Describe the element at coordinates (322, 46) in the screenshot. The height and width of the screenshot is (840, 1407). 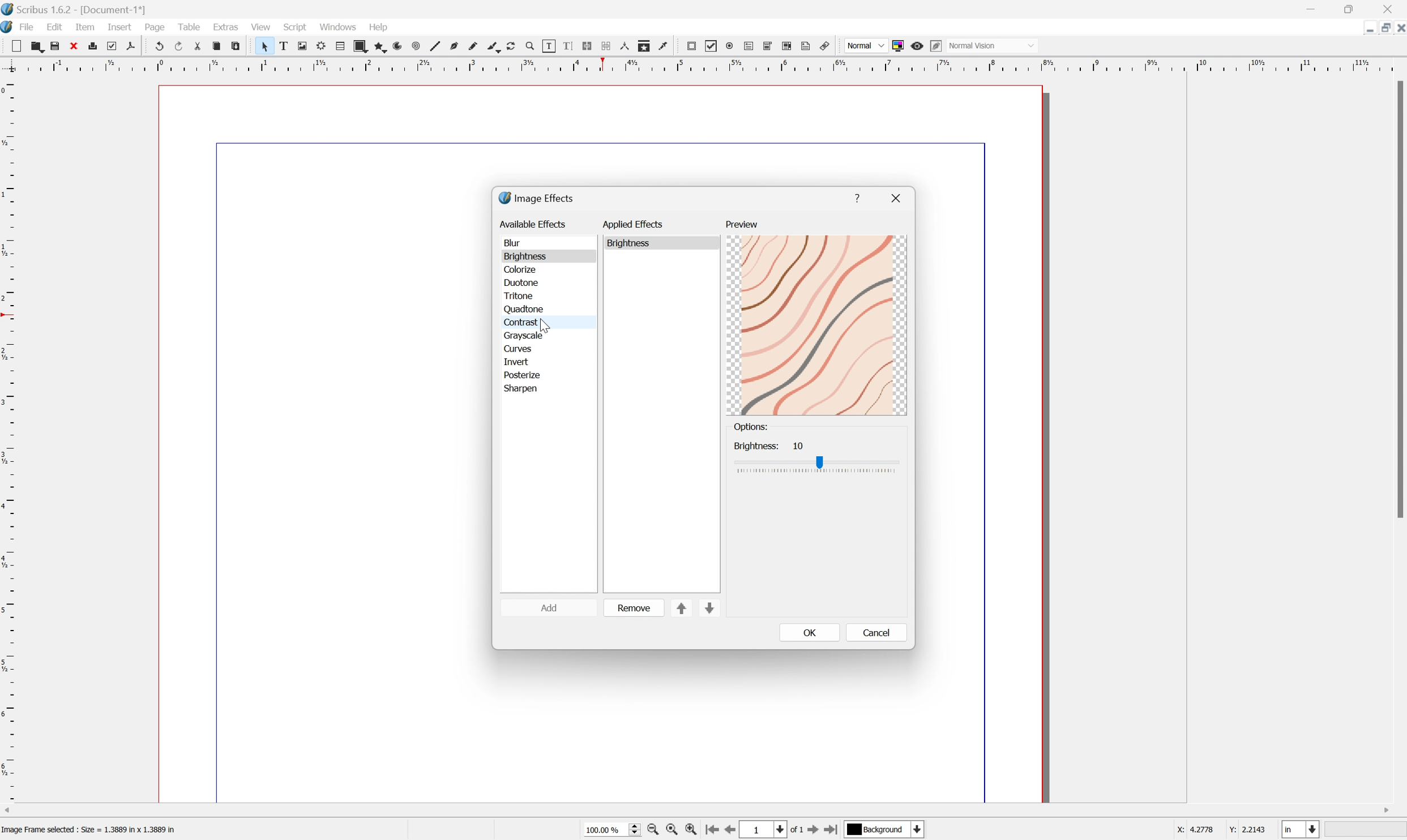
I see `Render frame` at that location.